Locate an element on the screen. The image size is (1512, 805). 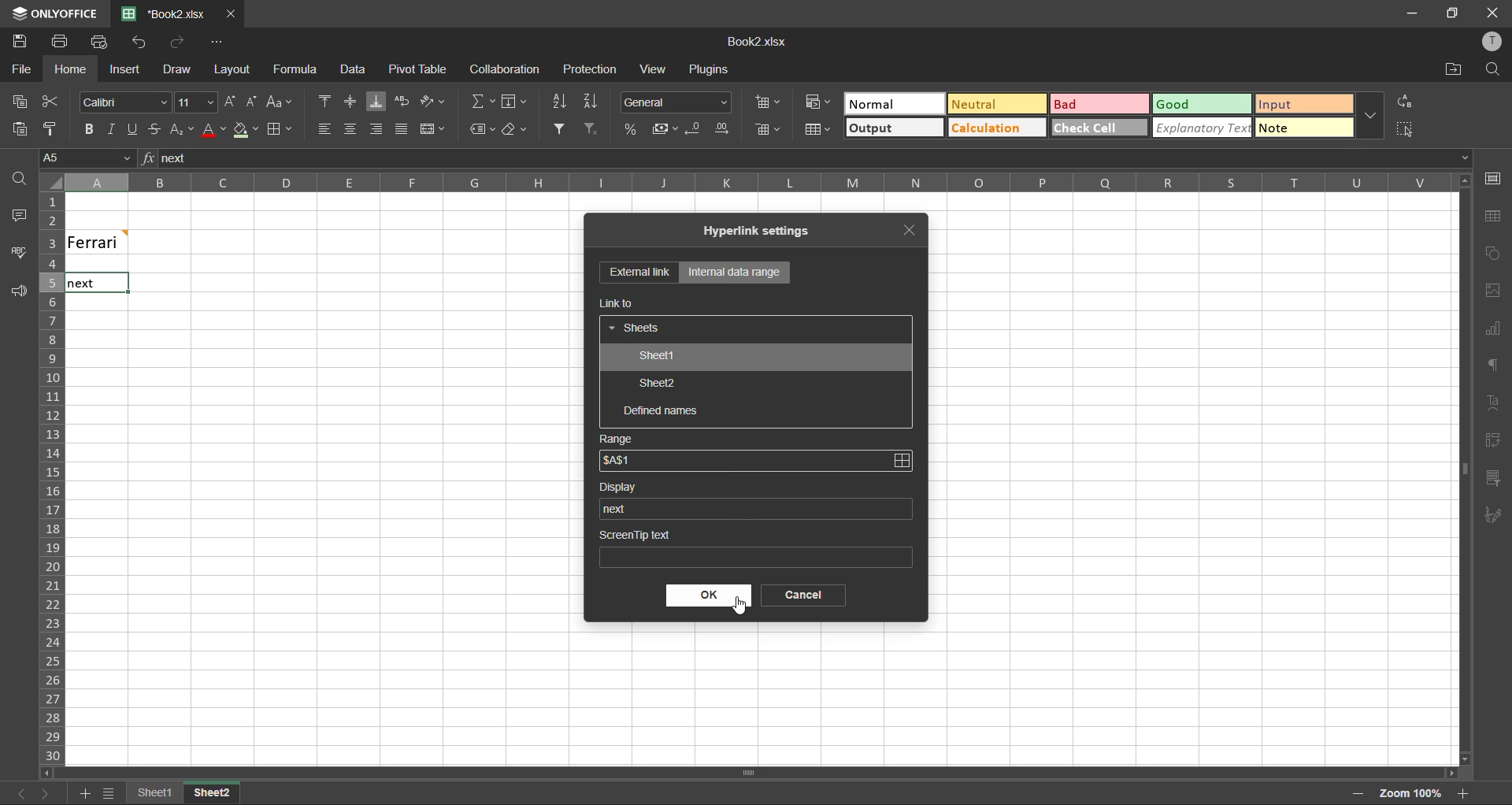
Book2.xlsx is located at coordinates (755, 43).